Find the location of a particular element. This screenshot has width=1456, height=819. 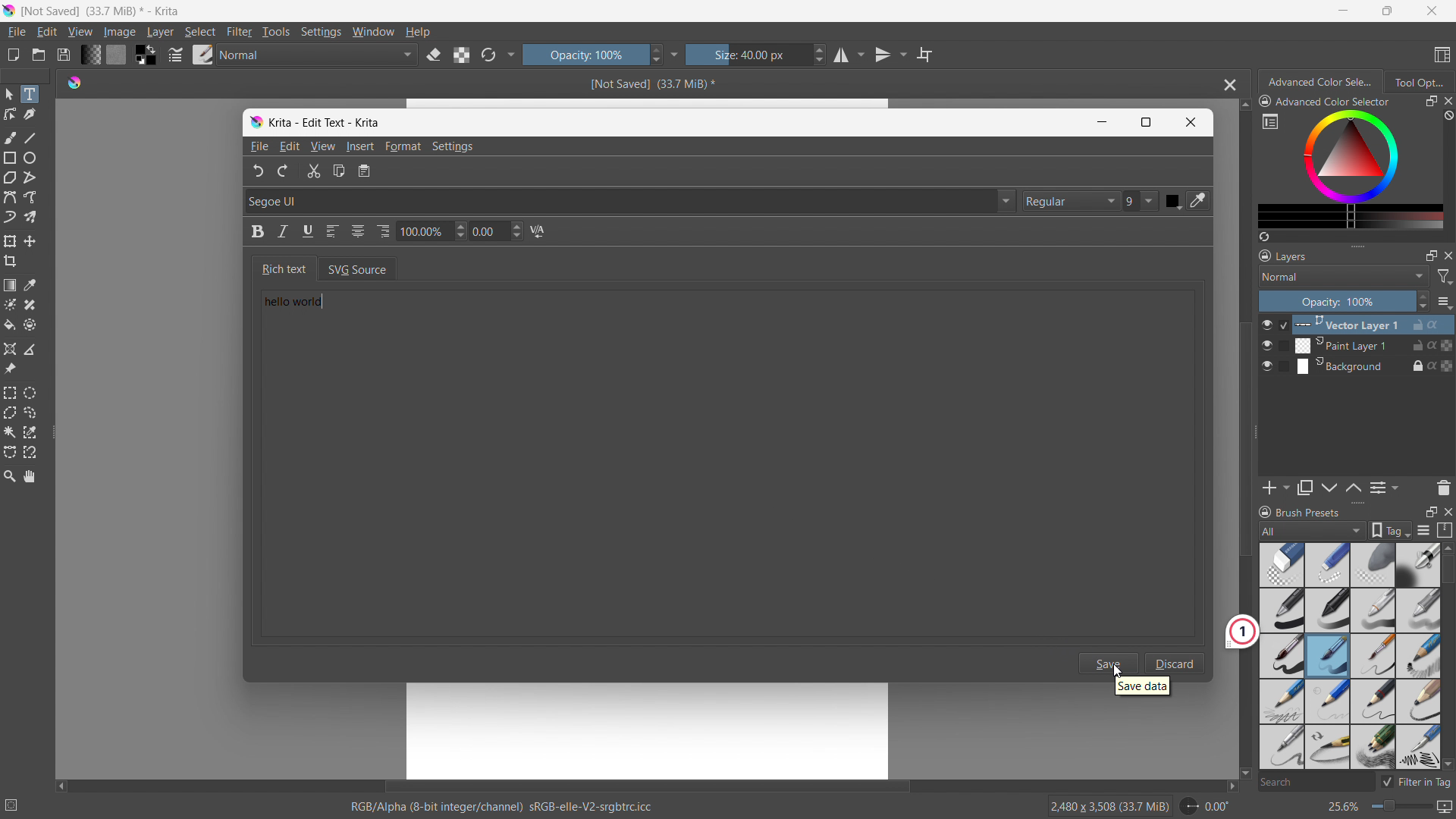

blur pencil is located at coordinates (1418, 609).